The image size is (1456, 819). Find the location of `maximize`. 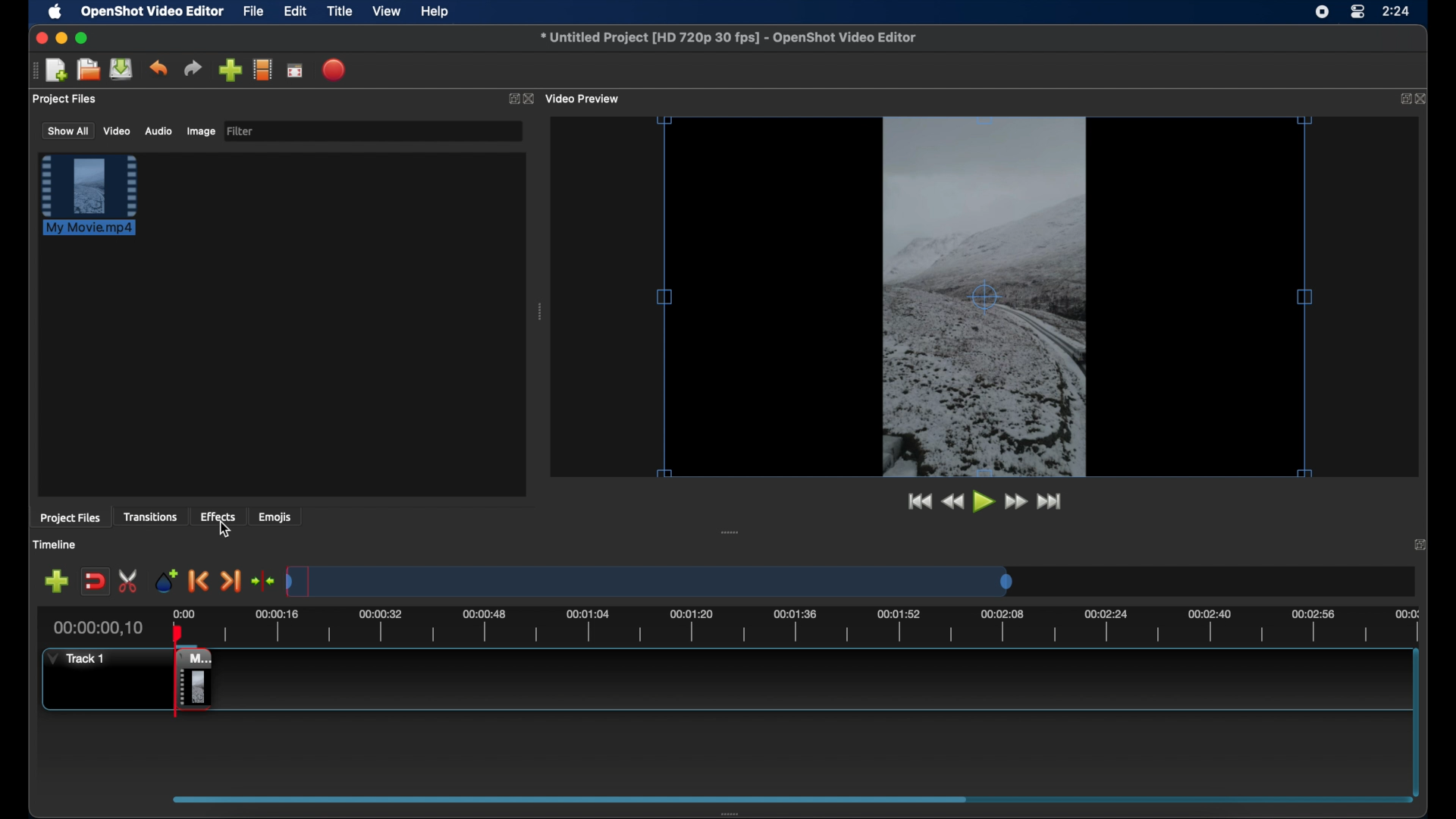

maximize is located at coordinates (83, 38).